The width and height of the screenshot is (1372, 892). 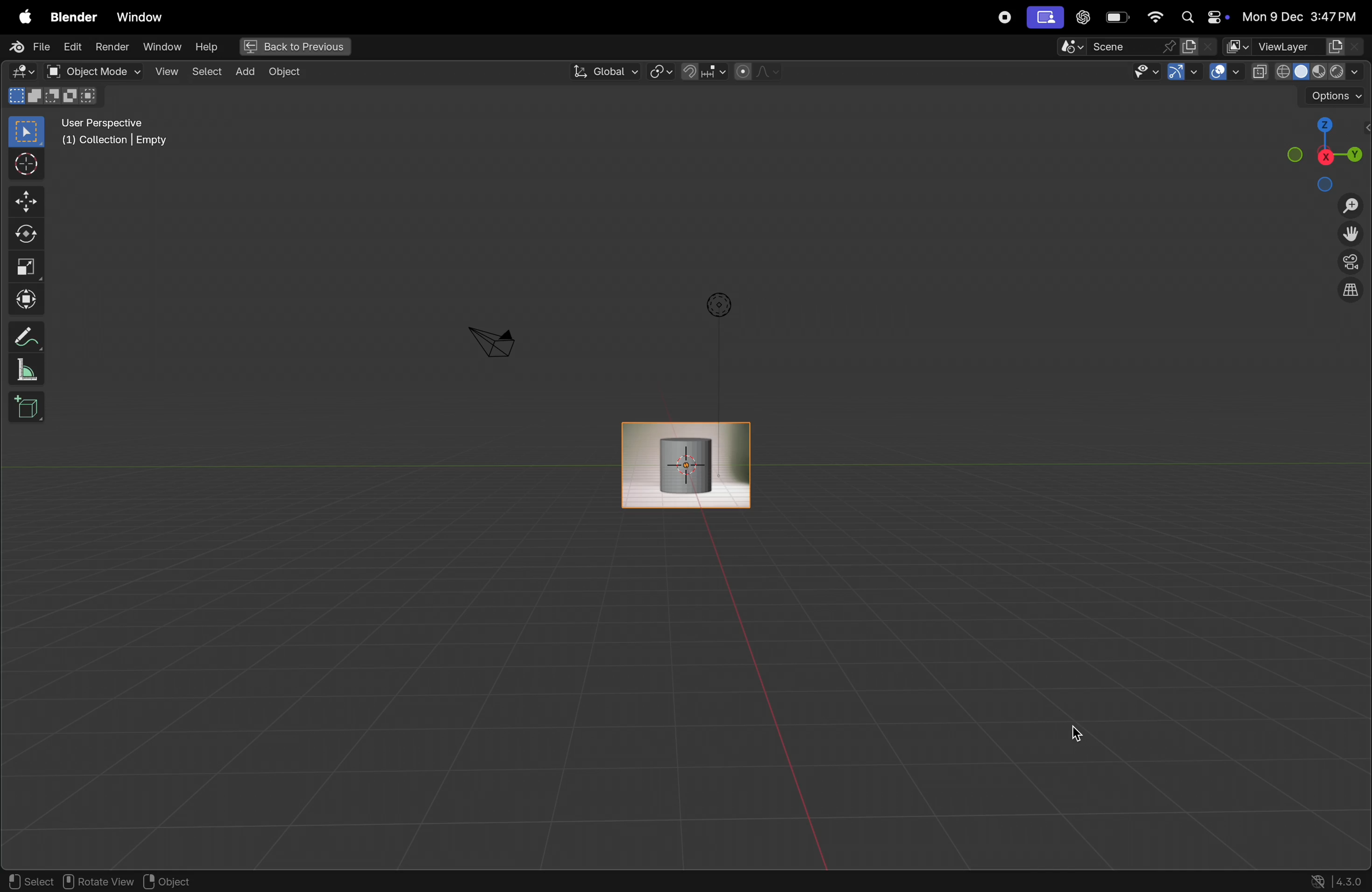 I want to click on orthographic view, so click(x=1353, y=293).